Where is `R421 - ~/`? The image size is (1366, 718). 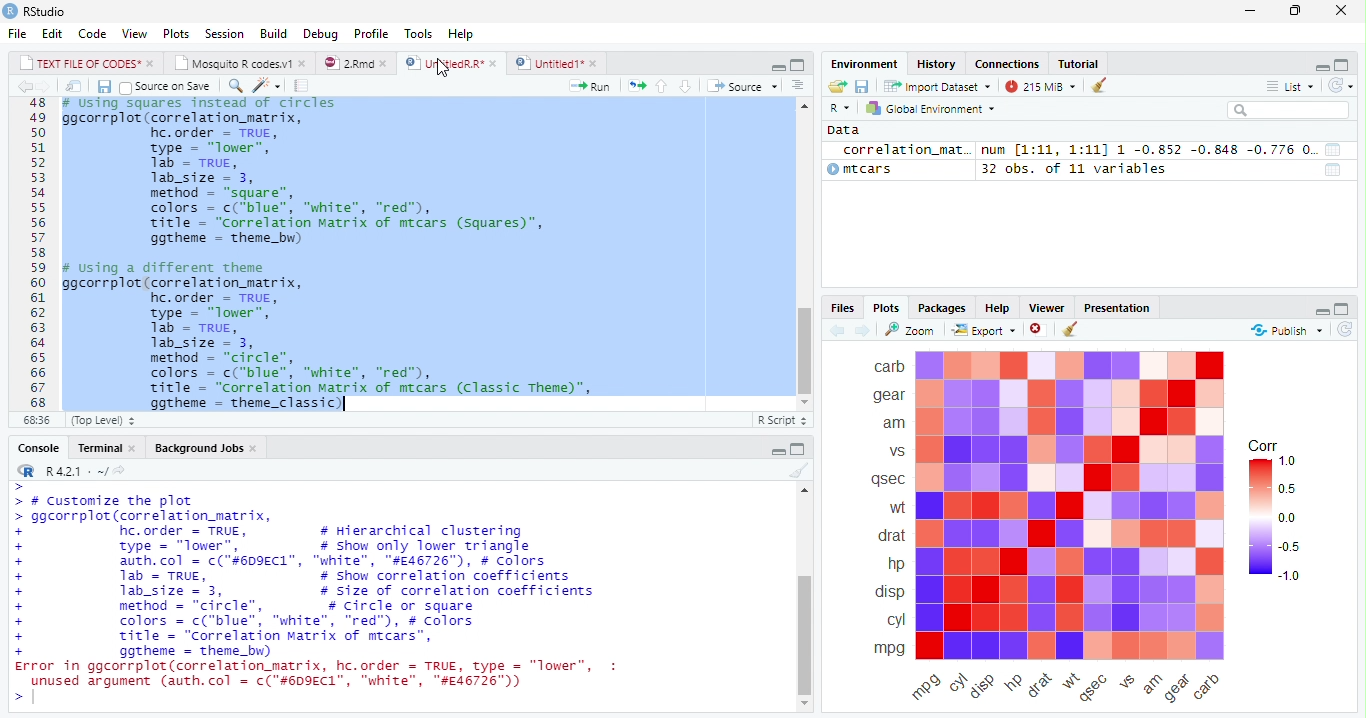
R421 - ~/ is located at coordinates (86, 471).